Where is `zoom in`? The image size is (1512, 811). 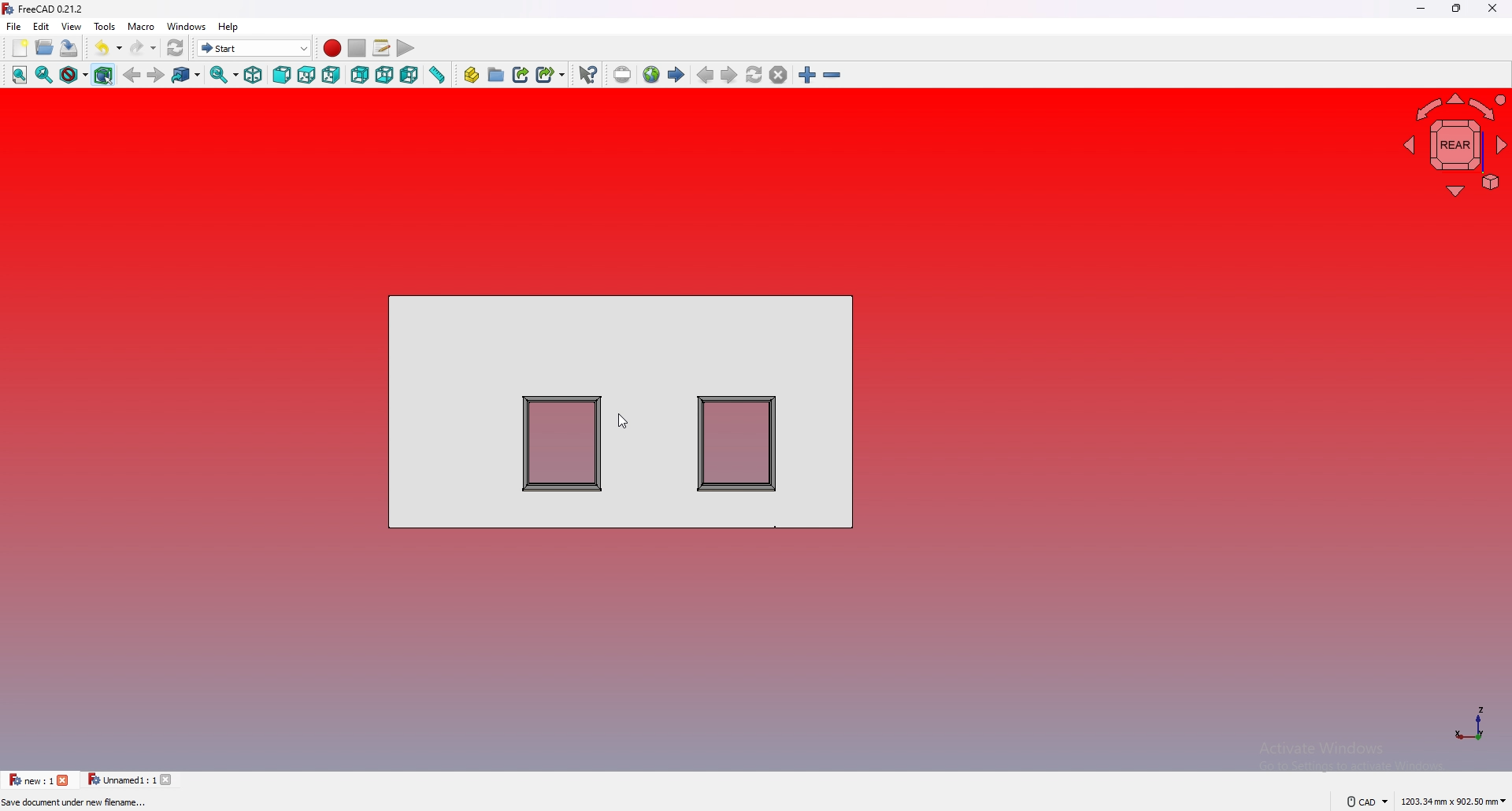
zoom in is located at coordinates (807, 75).